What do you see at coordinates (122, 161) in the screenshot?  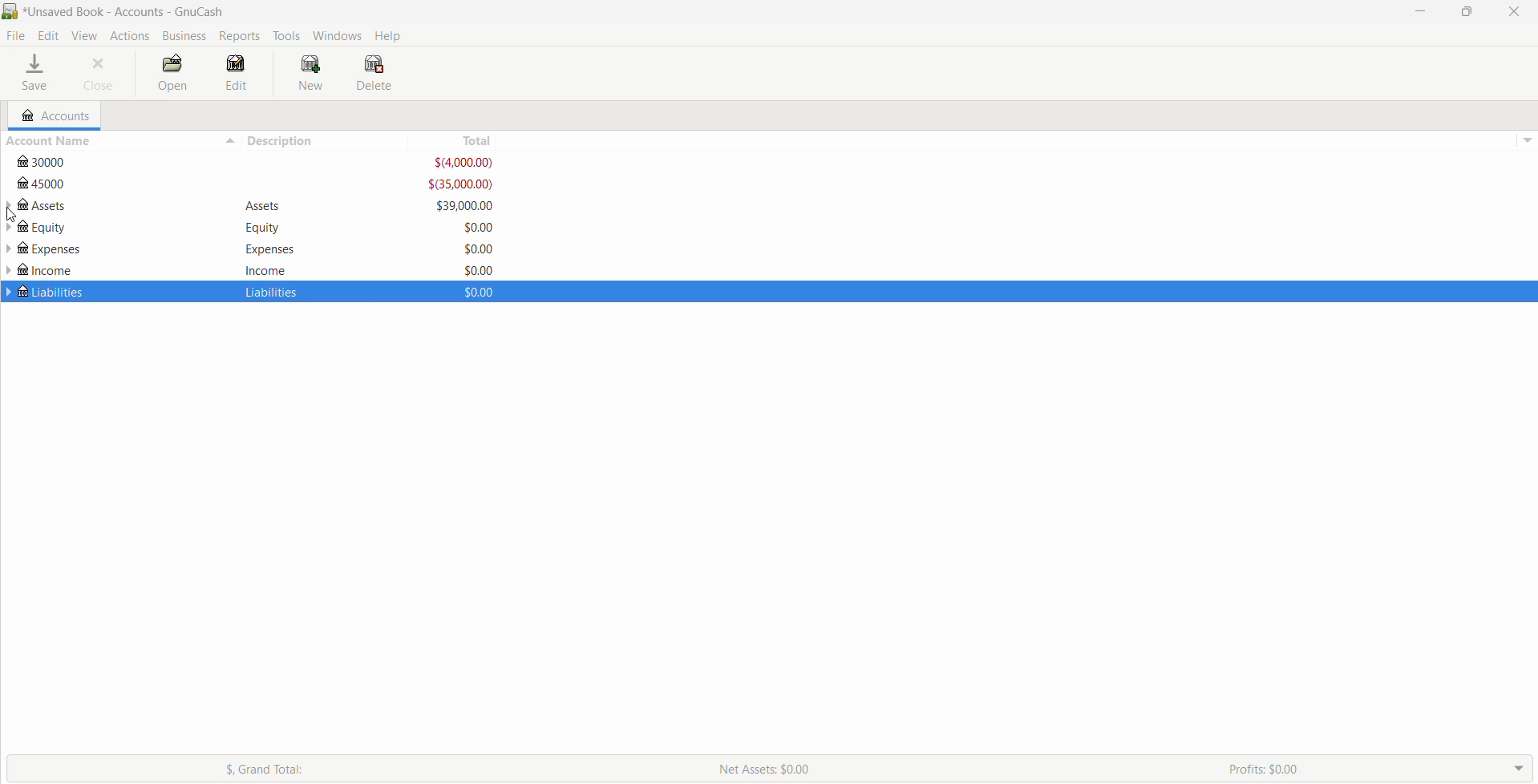 I see `3000` at bounding box center [122, 161].